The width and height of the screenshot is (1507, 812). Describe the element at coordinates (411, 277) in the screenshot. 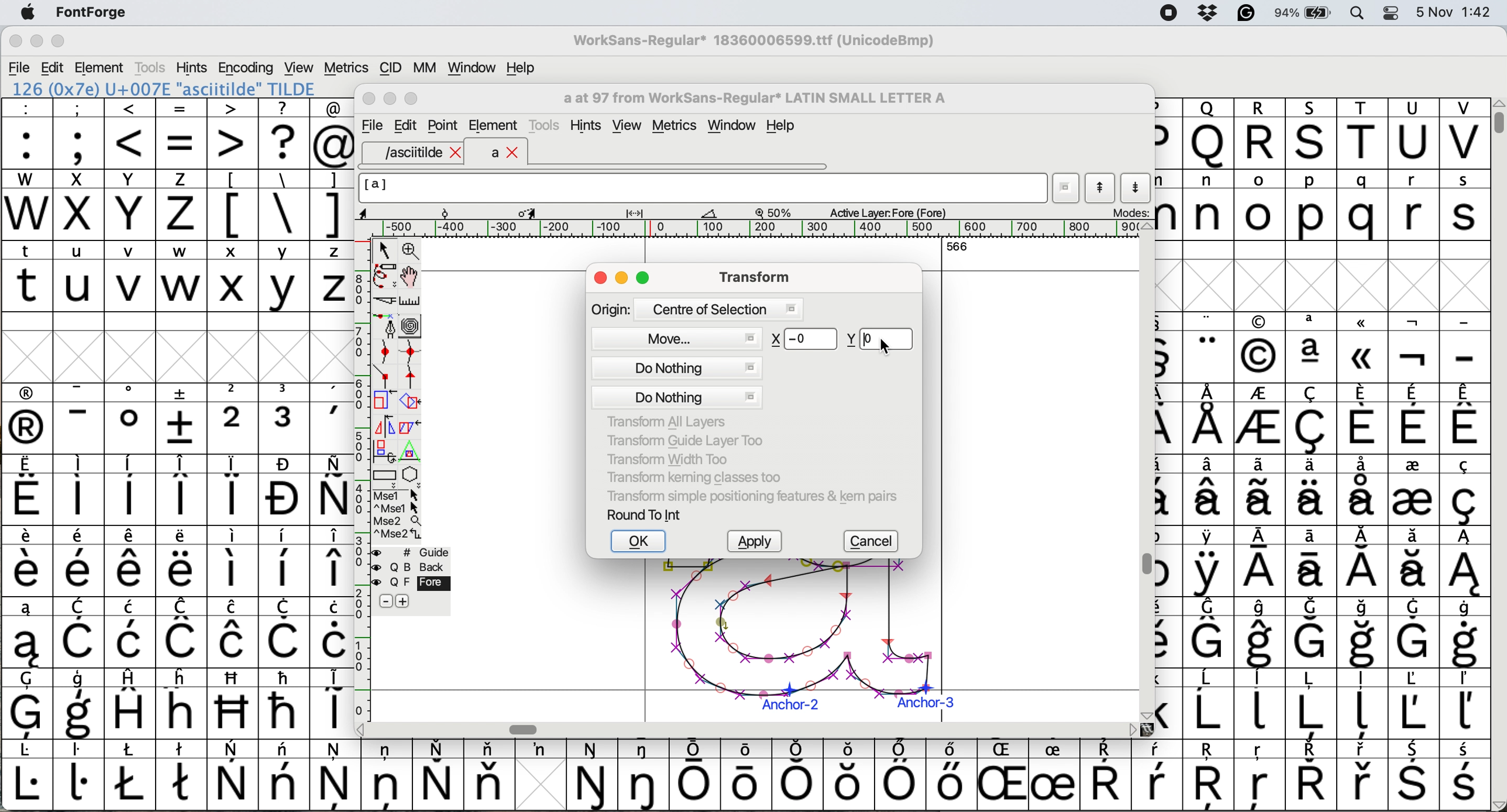

I see `scroll by hand` at that location.